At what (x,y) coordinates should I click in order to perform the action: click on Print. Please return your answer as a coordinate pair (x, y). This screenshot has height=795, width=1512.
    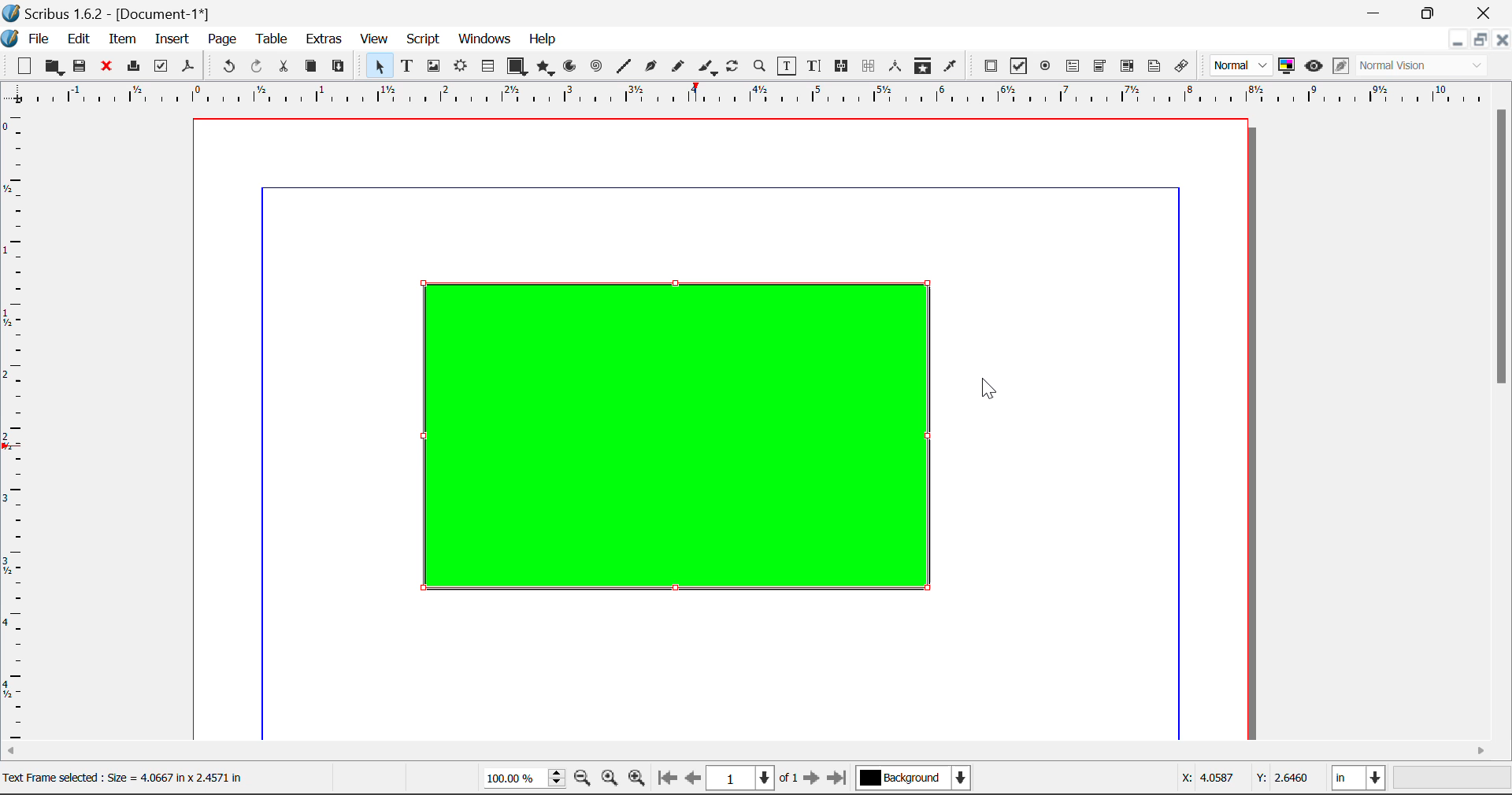
    Looking at the image, I should click on (132, 67).